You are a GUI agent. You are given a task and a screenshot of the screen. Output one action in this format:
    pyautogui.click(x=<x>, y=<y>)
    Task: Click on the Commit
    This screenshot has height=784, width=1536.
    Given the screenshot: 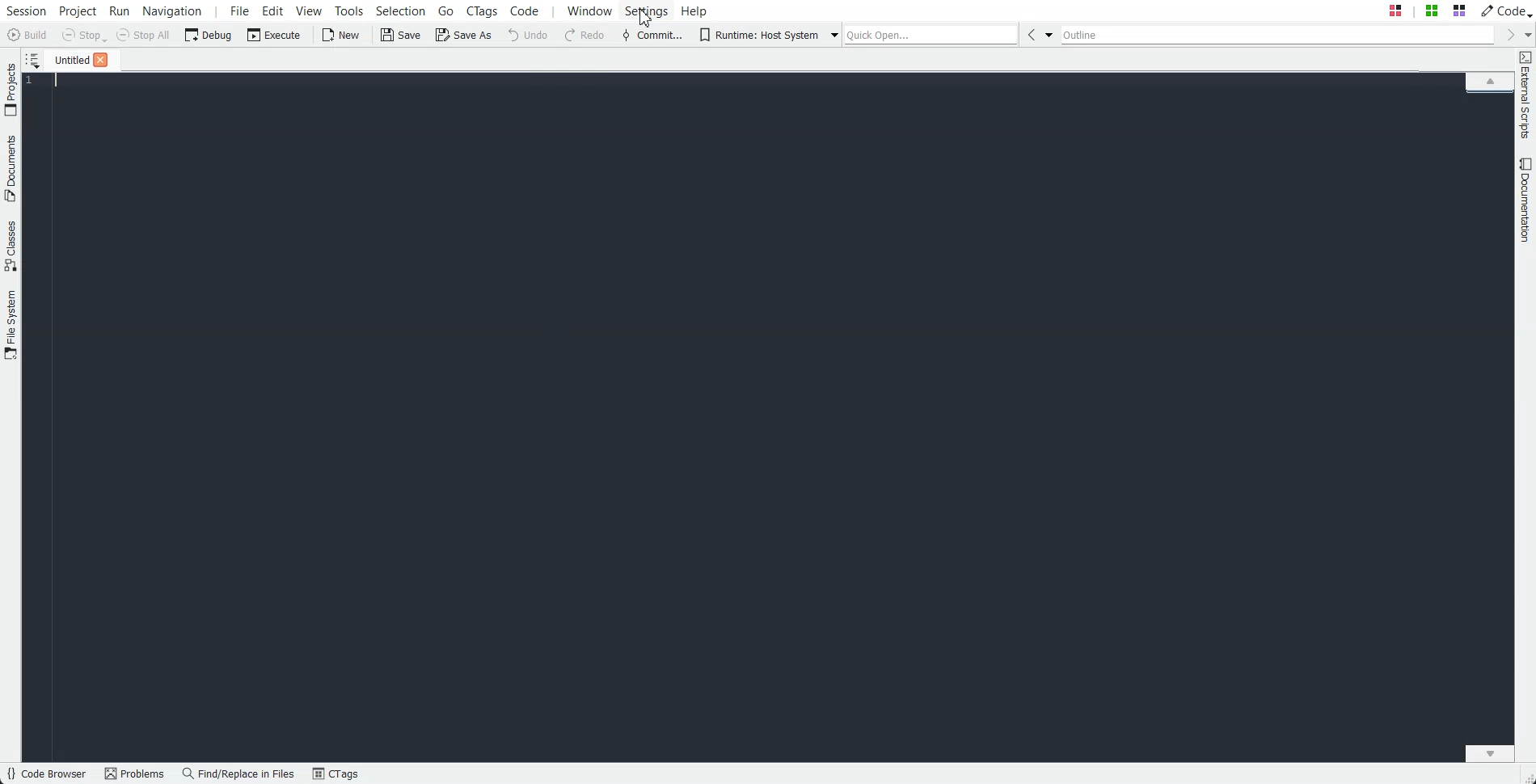 What is the action you would take?
    pyautogui.click(x=652, y=36)
    